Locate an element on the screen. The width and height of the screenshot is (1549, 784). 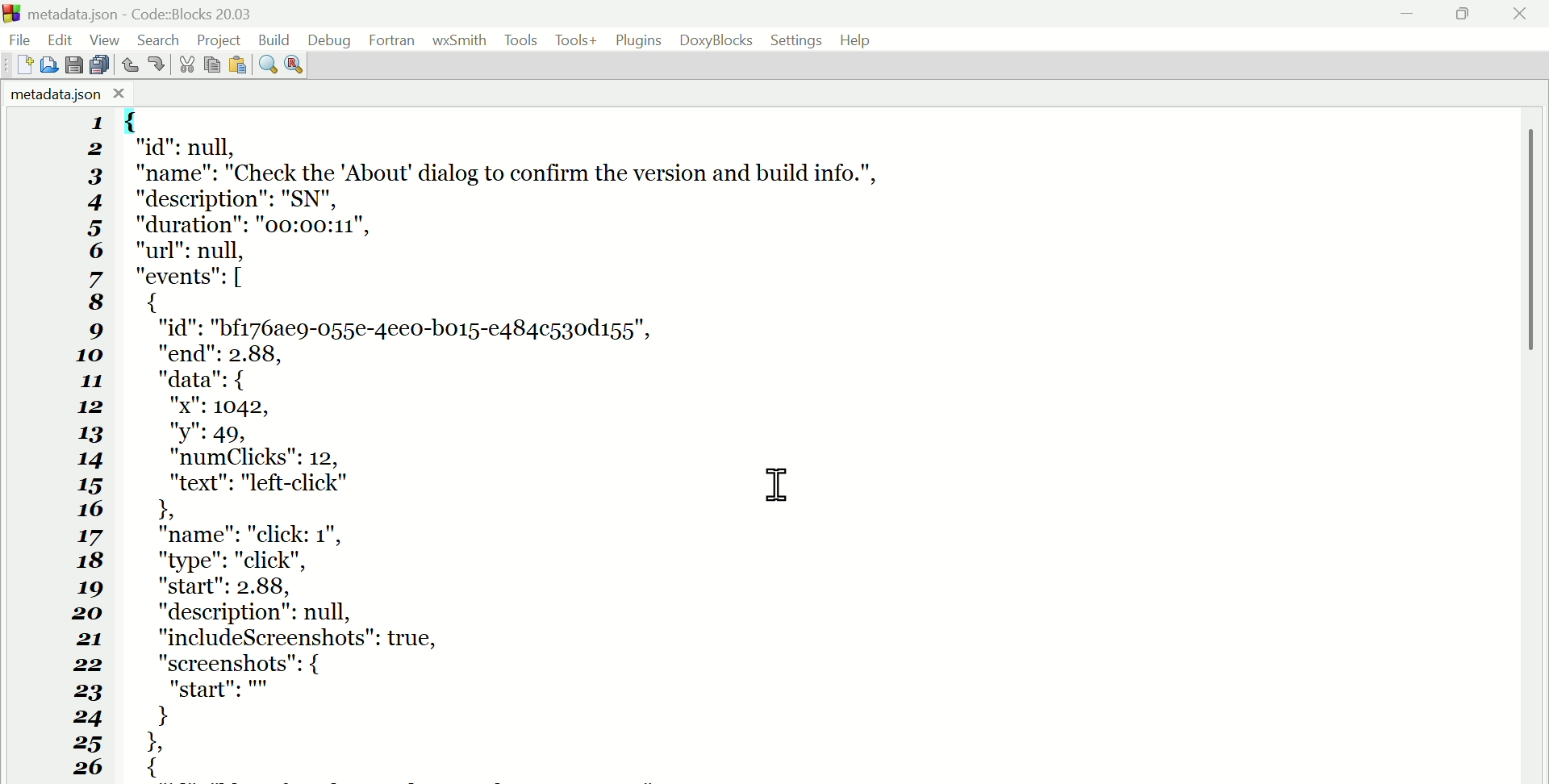
Copy is located at coordinates (211, 65).